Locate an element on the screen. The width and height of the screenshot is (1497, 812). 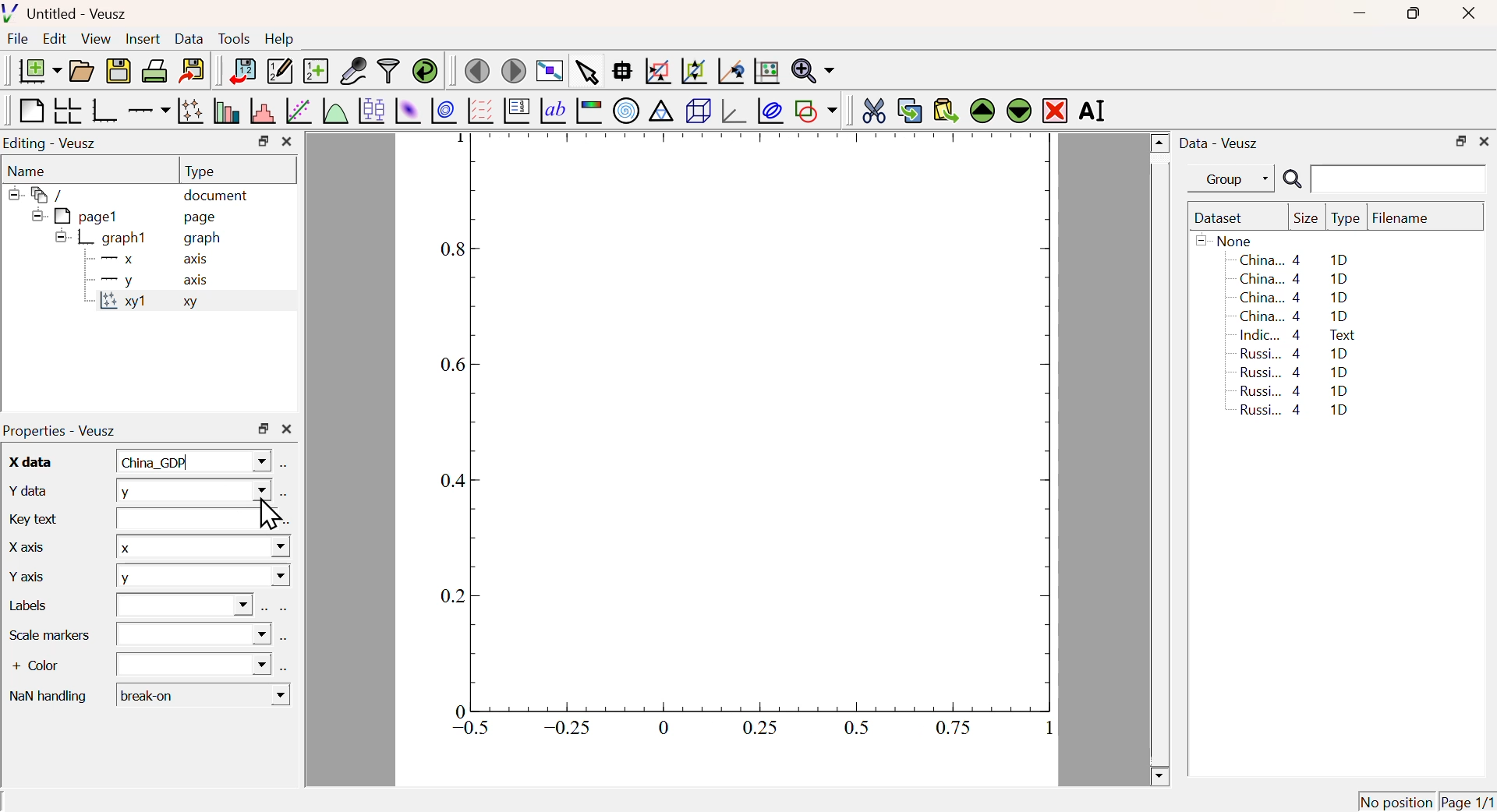
Fit a function to data is located at coordinates (299, 112).